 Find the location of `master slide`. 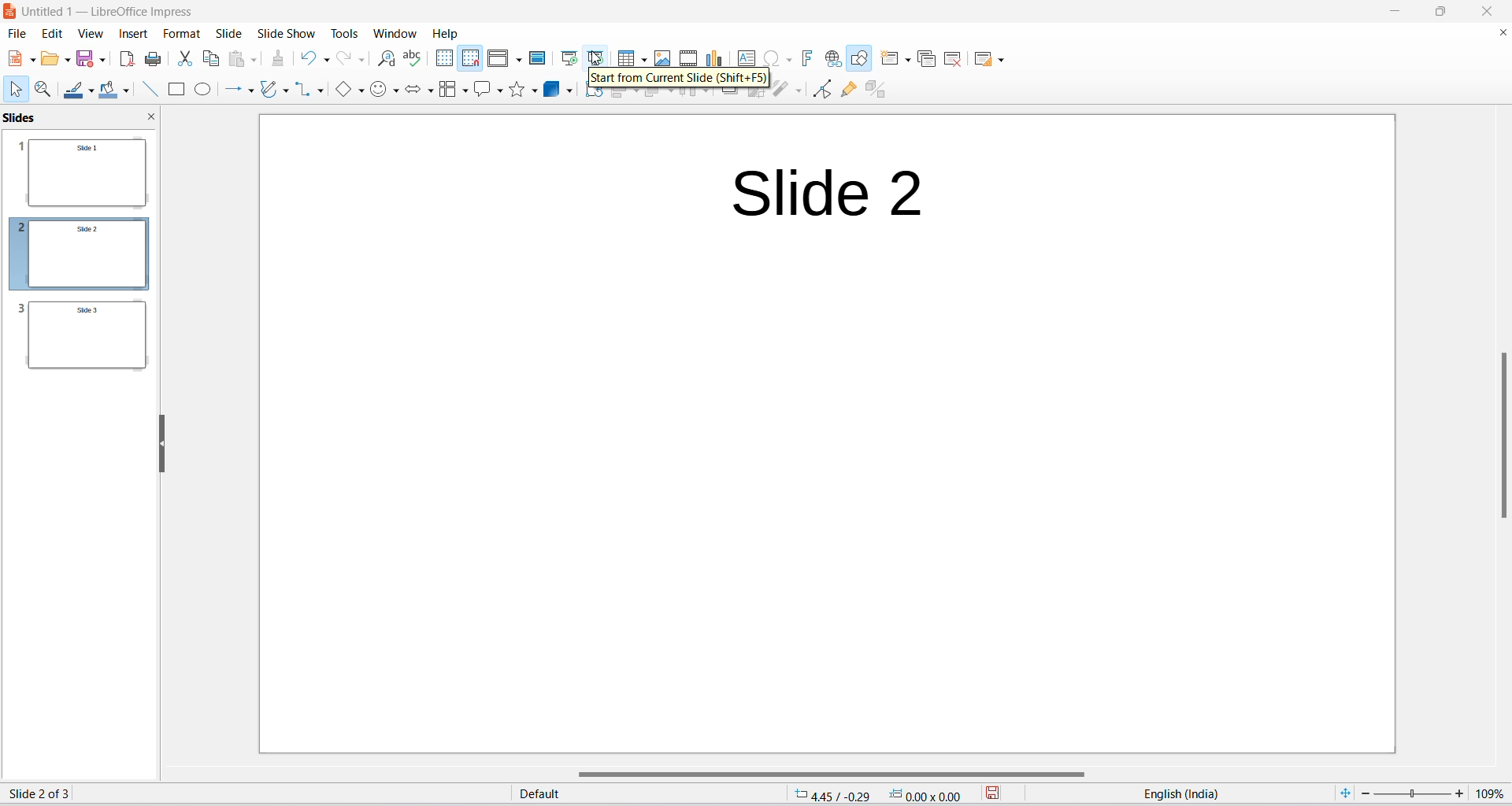

master slide is located at coordinates (540, 56).